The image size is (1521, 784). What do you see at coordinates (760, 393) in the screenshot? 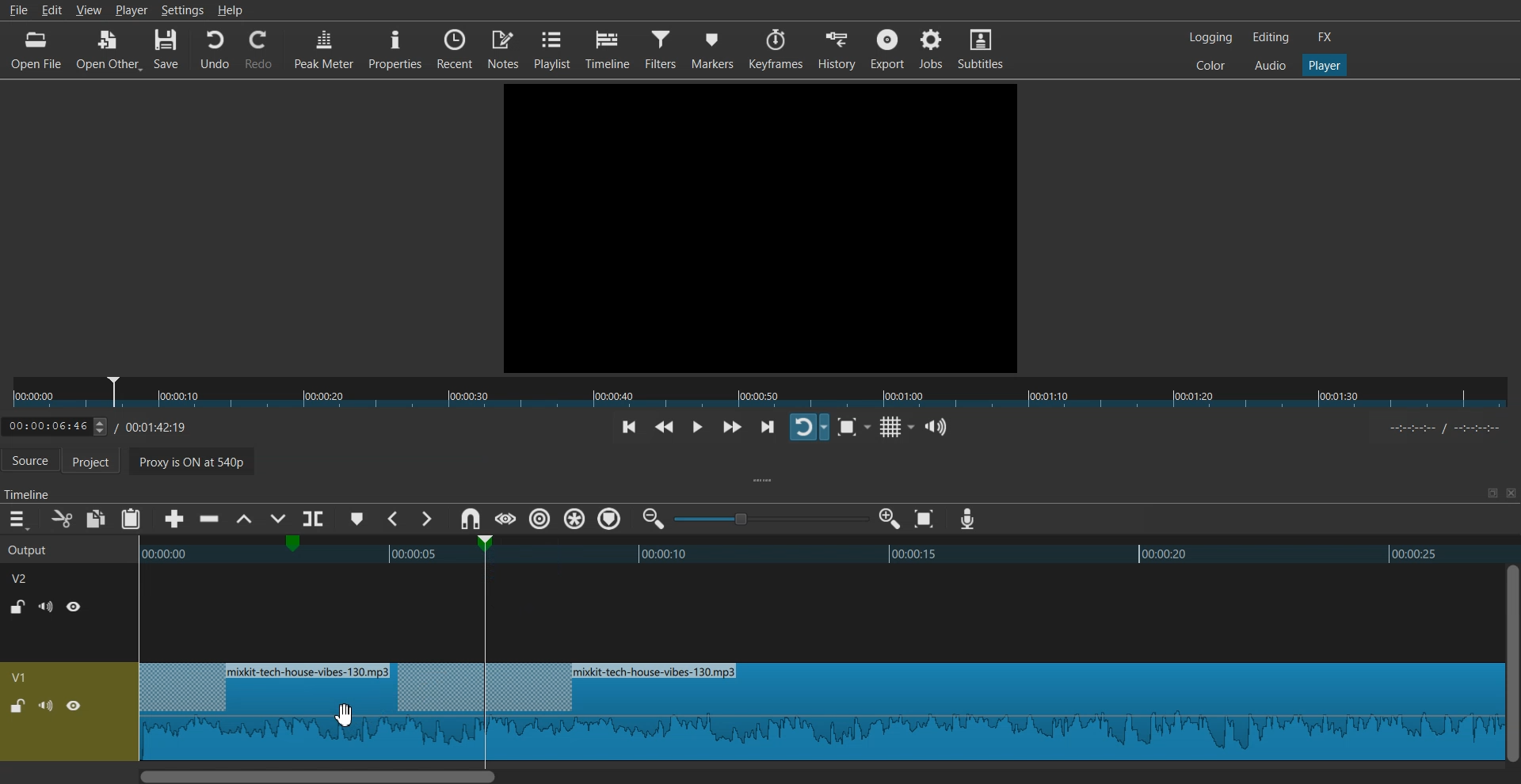
I see `Slider` at bounding box center [760, 393].